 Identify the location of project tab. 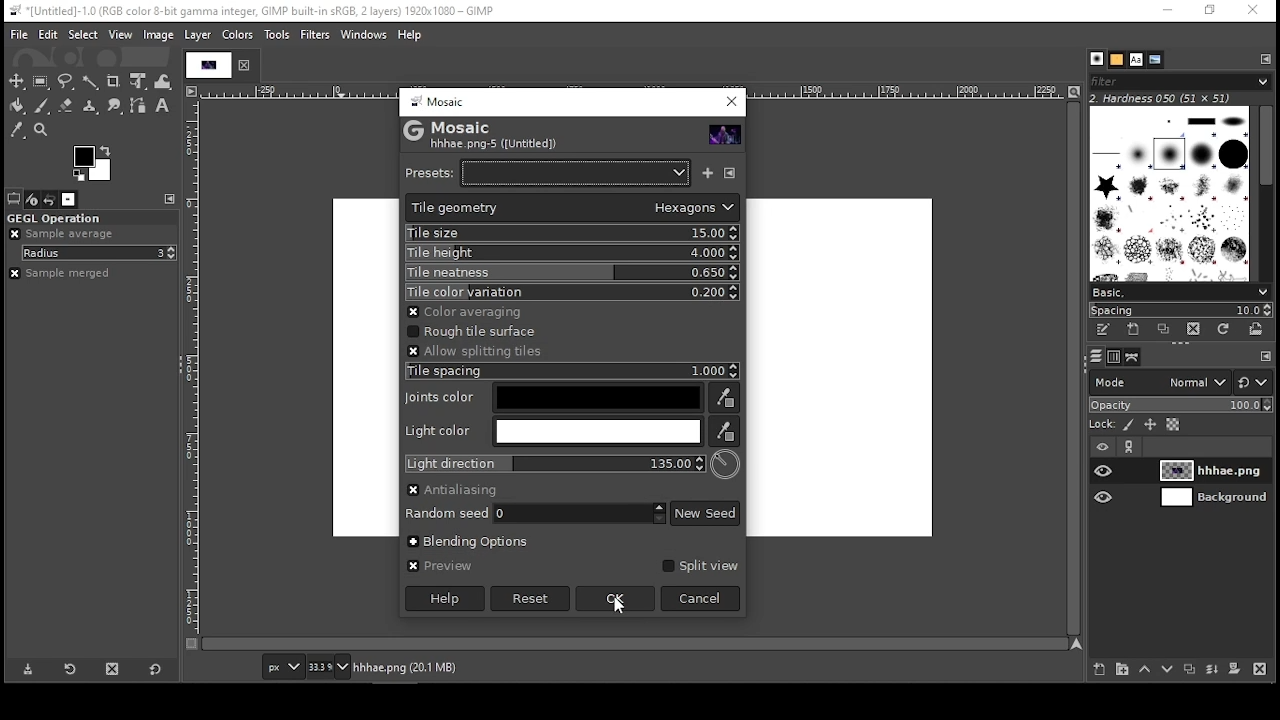
(220, 65).